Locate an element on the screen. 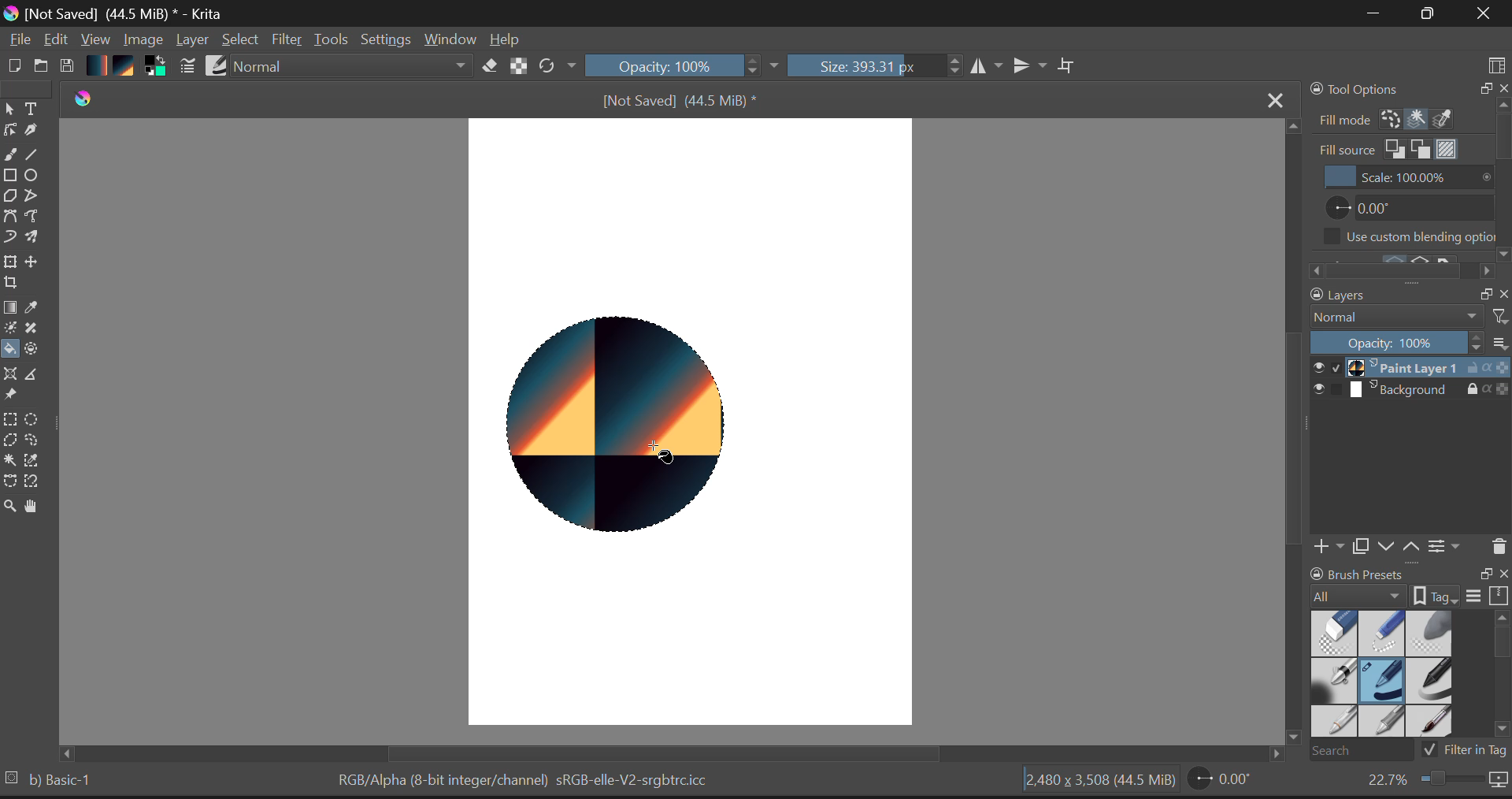 This screenshot has width=1512, height=799. Restore Down is located at coordinates (1371, 14).